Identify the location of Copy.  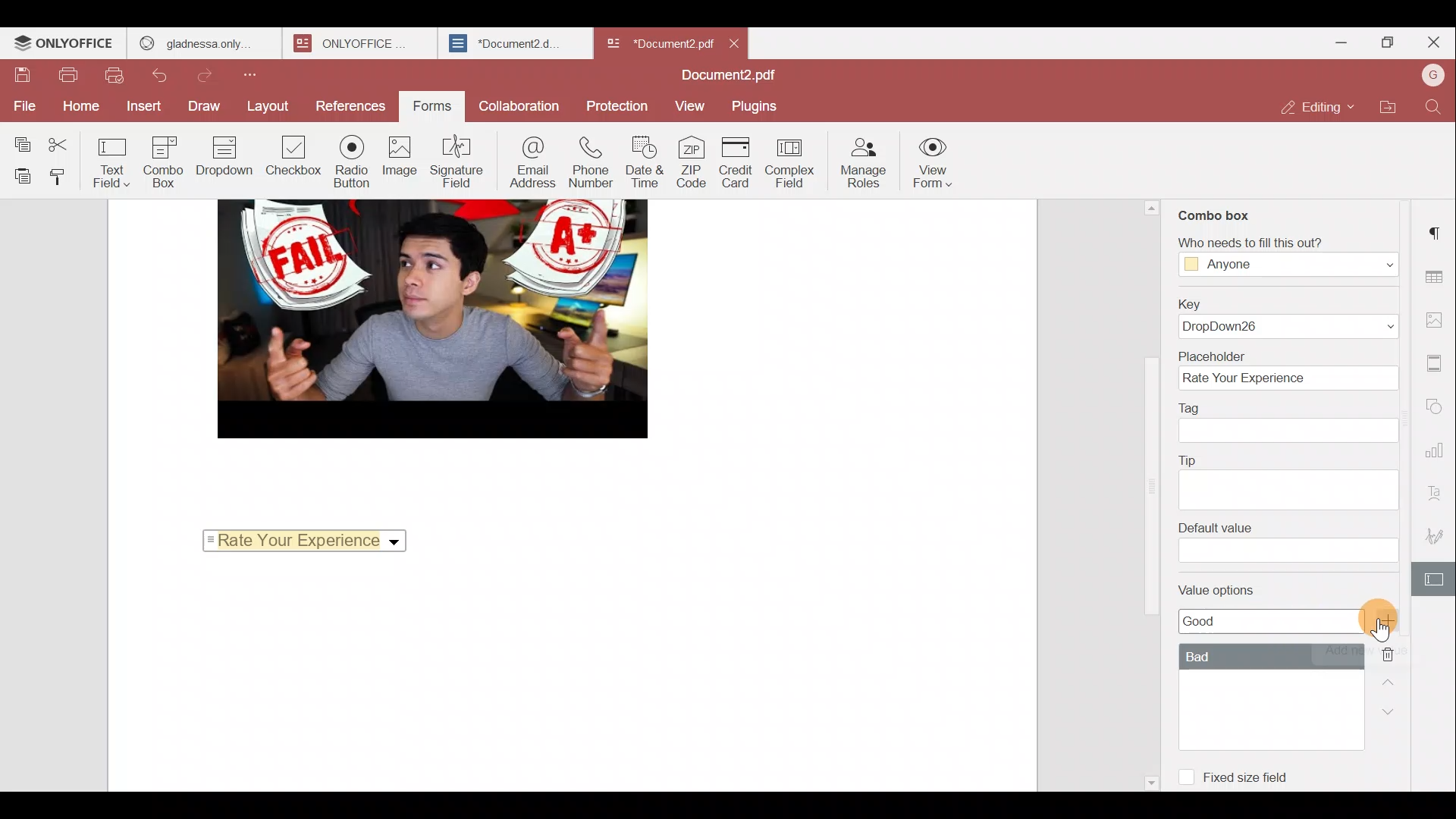
(22, 141).